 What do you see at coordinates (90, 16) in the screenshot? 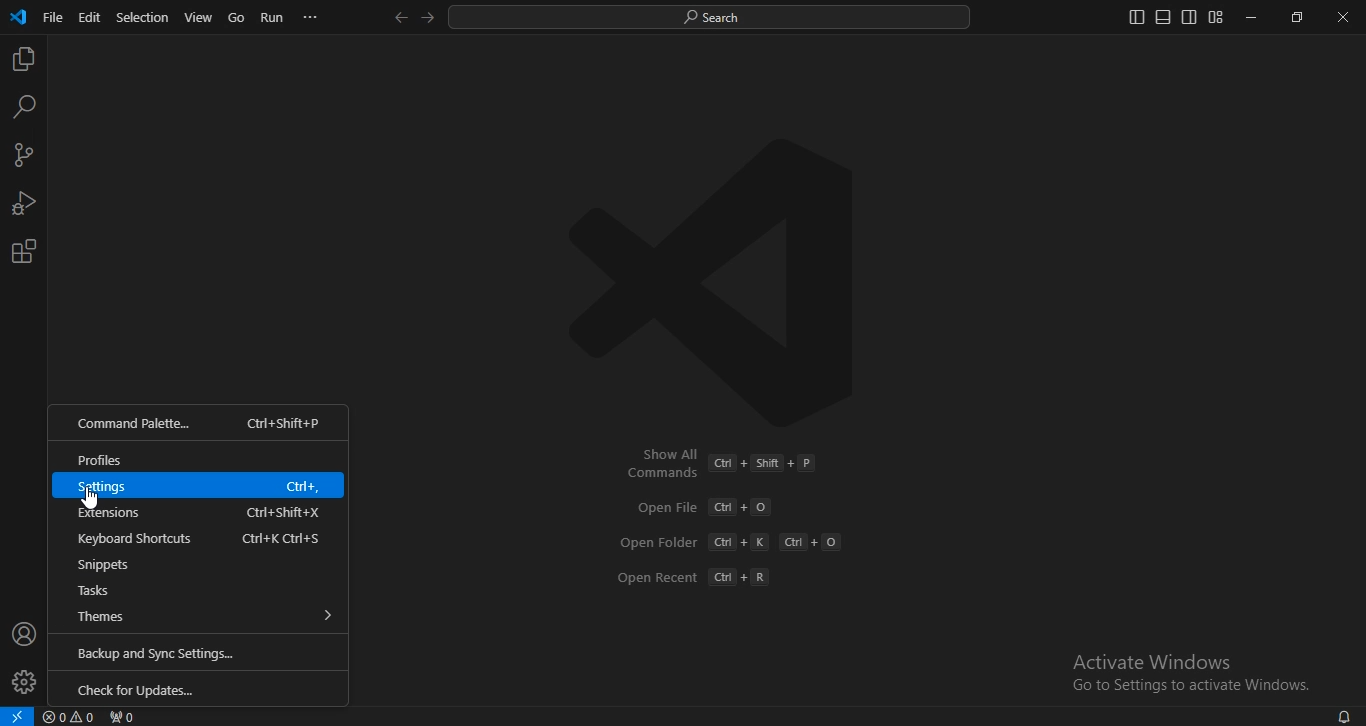
I see `edit` at bounding box center [90, 16].